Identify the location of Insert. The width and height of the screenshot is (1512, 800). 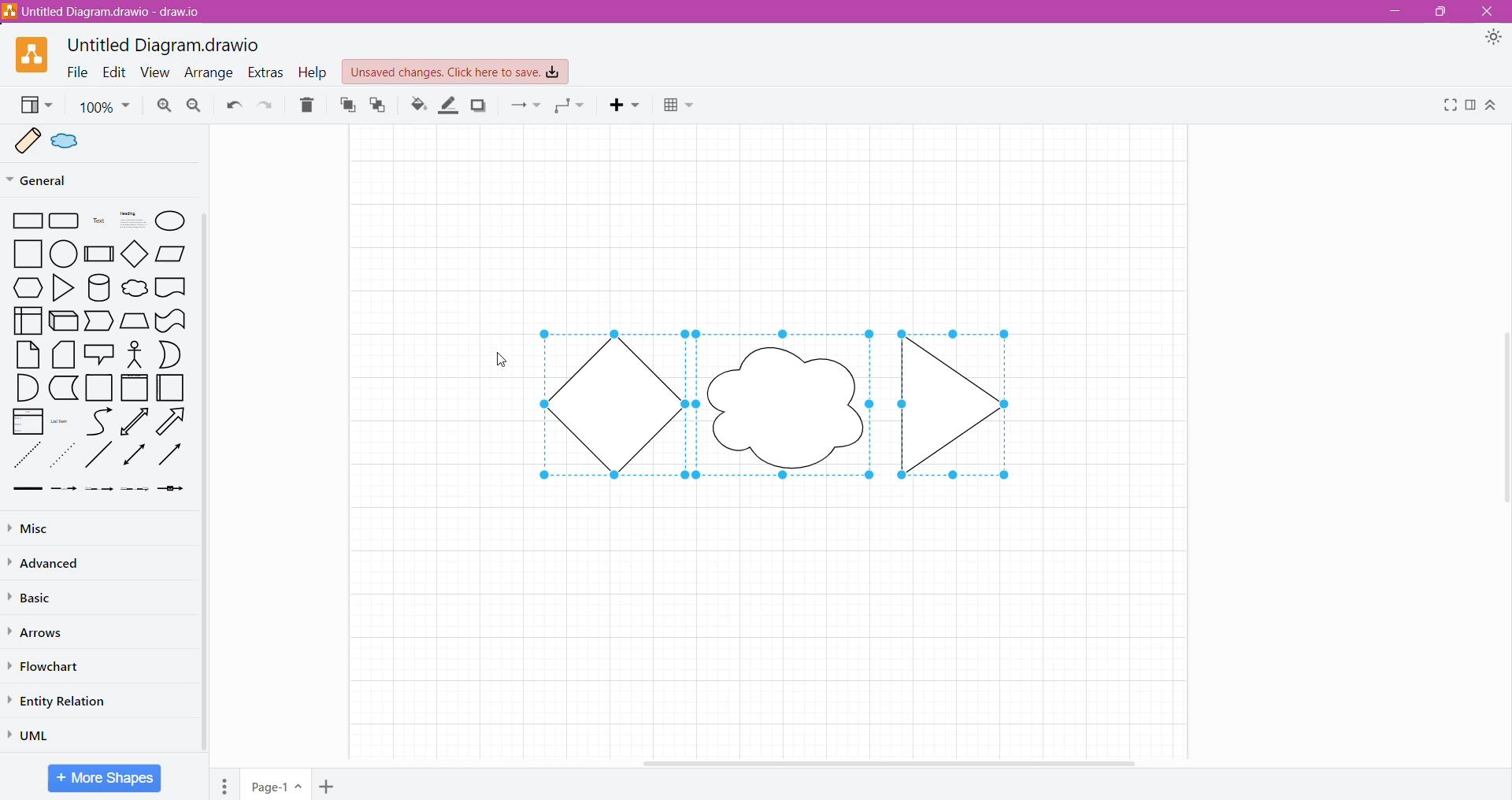
(628, 107).